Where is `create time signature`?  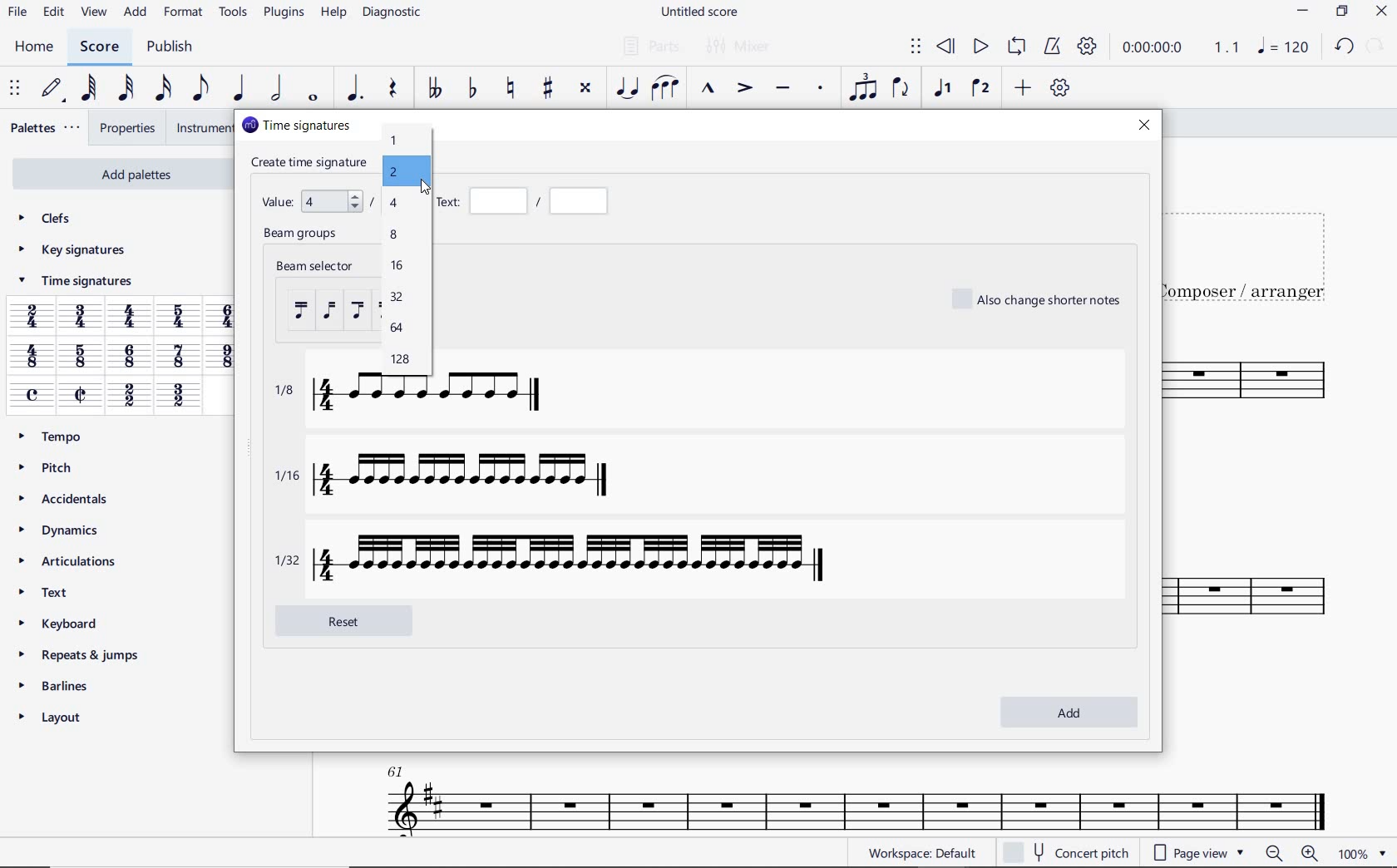 create time signature is located at coordinates (310, 161).